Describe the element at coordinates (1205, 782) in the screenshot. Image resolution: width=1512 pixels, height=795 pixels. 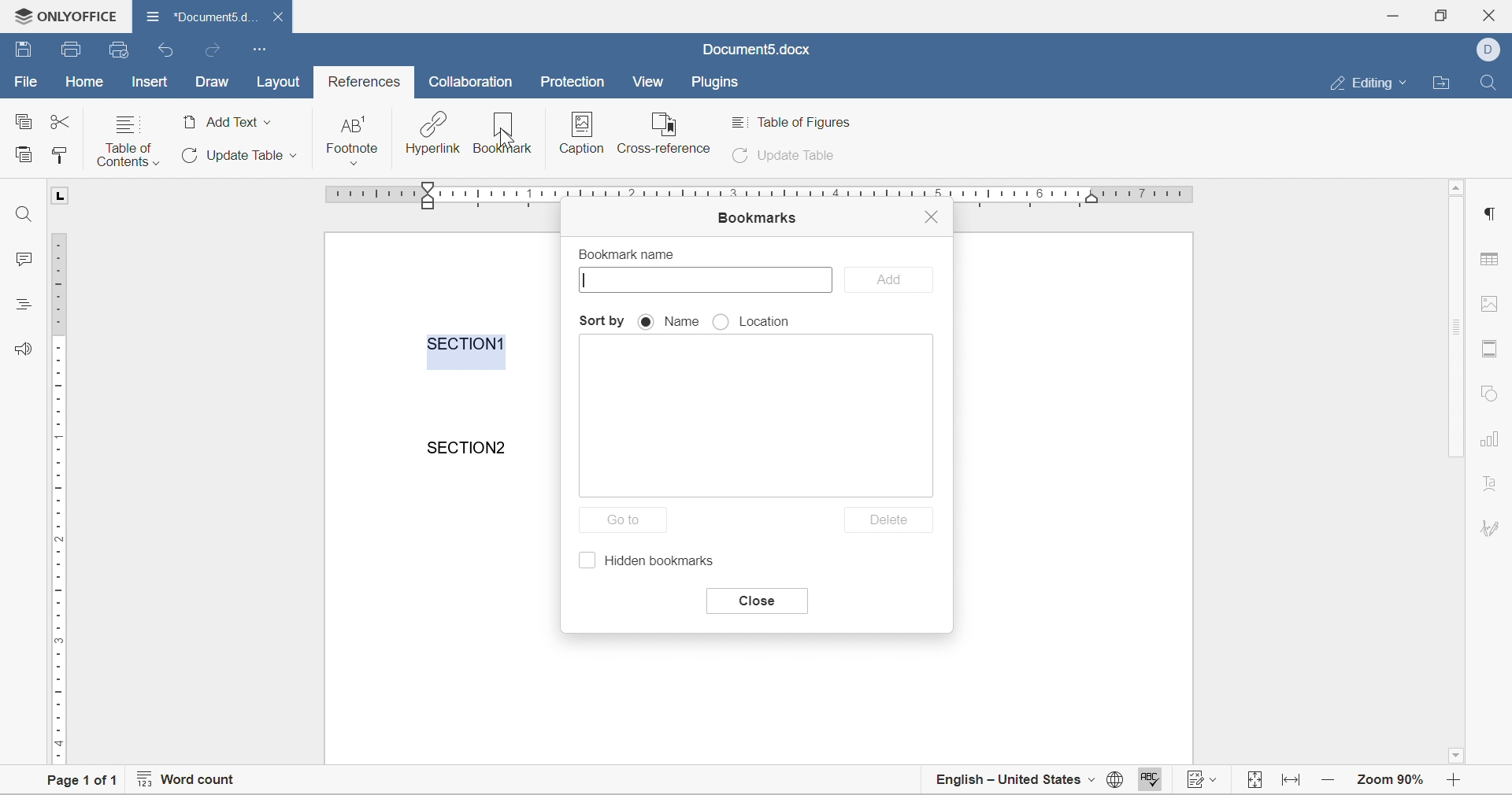
I see `track changes` at that location.